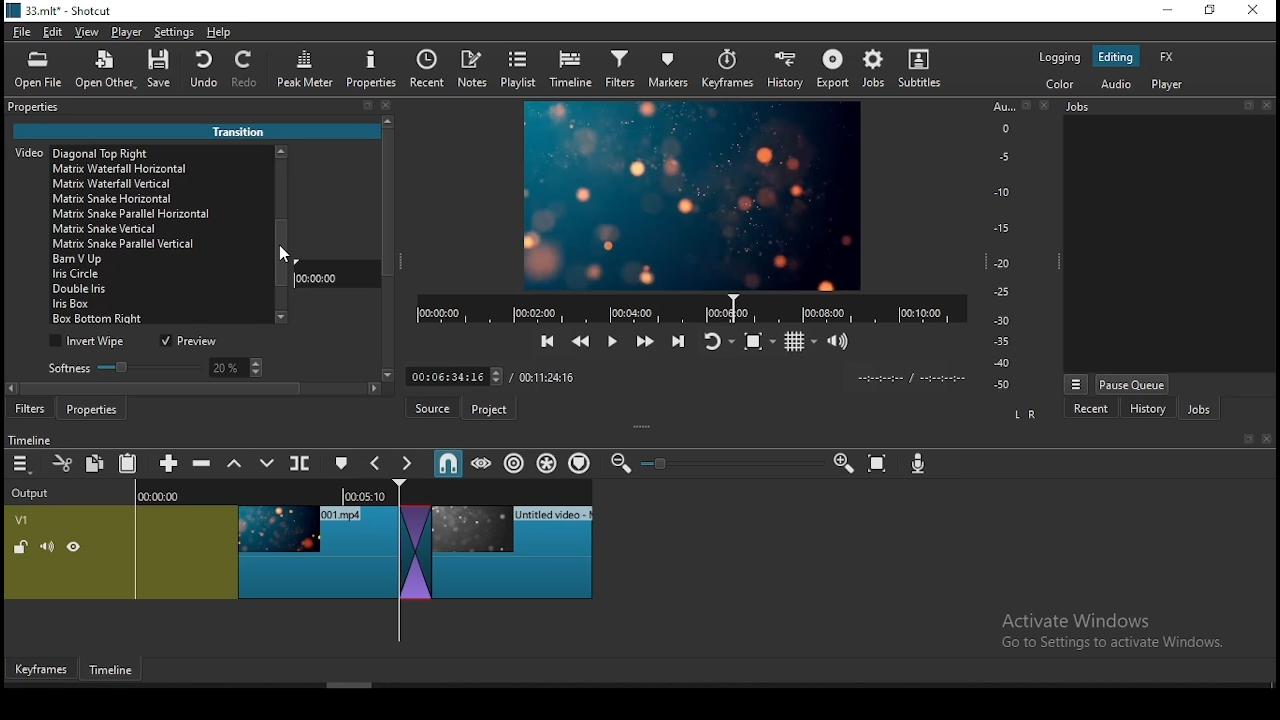 Image resolution: width=1280 pixels, height=720 pixels. What do you see at coordinates (408, 464) in the screenshot?
I see `next marker` at bounding box center [408, 464].